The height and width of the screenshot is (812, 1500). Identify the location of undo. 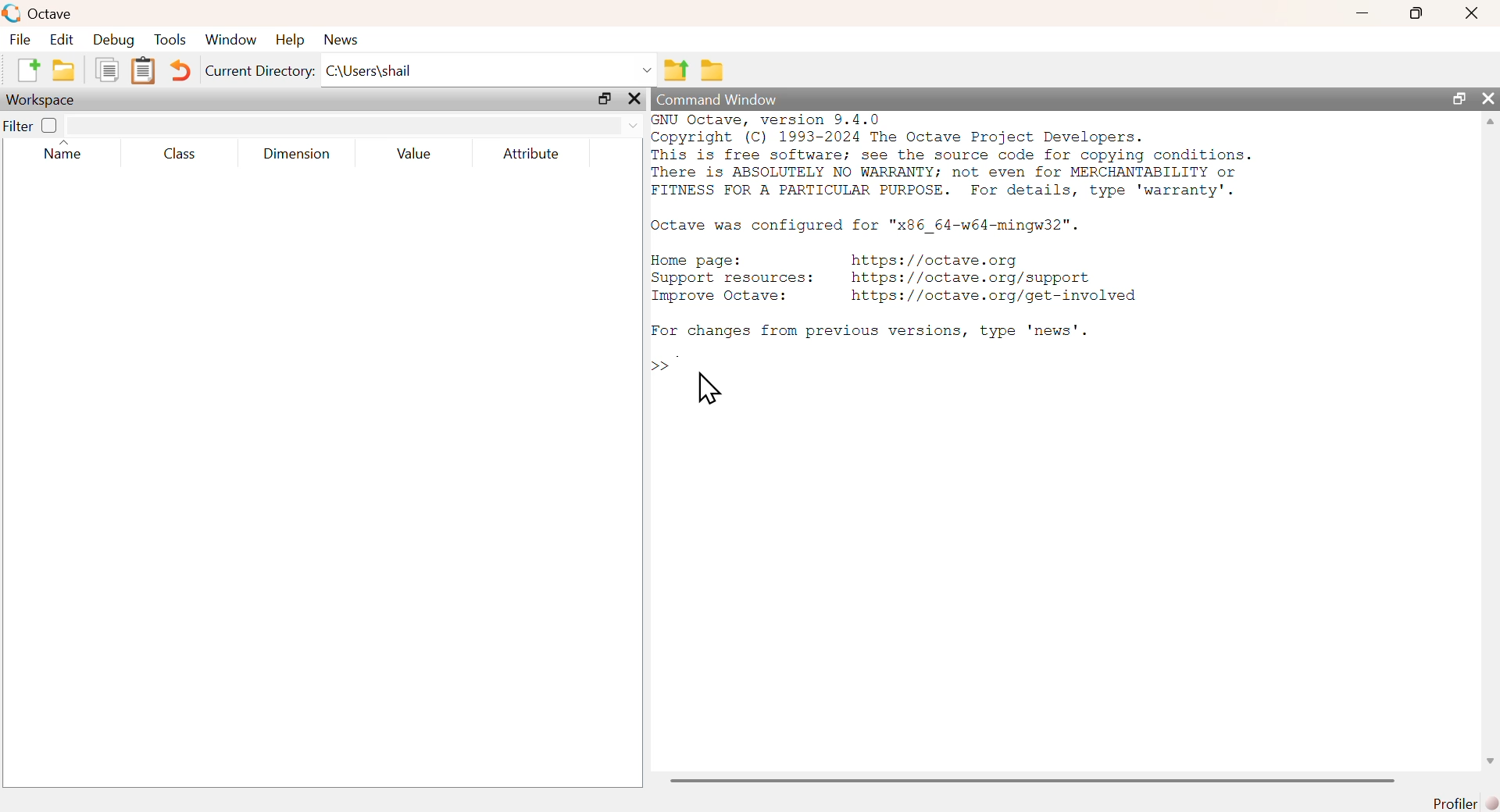
(184, 73).